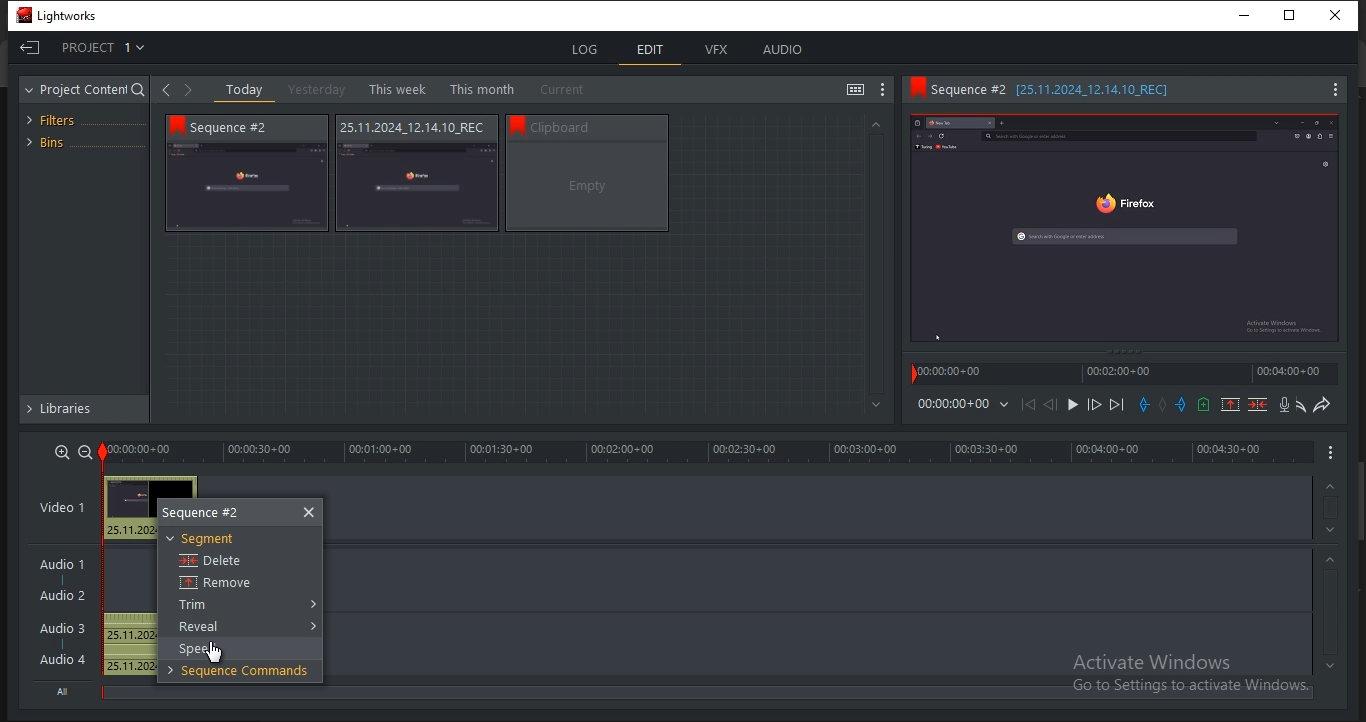 Image resolution: width=1366 pixels, height=722 pixels. What do you see at coordinates (213, 583) in the screenshot?
I see `remove` at bounding box center [213, 583].